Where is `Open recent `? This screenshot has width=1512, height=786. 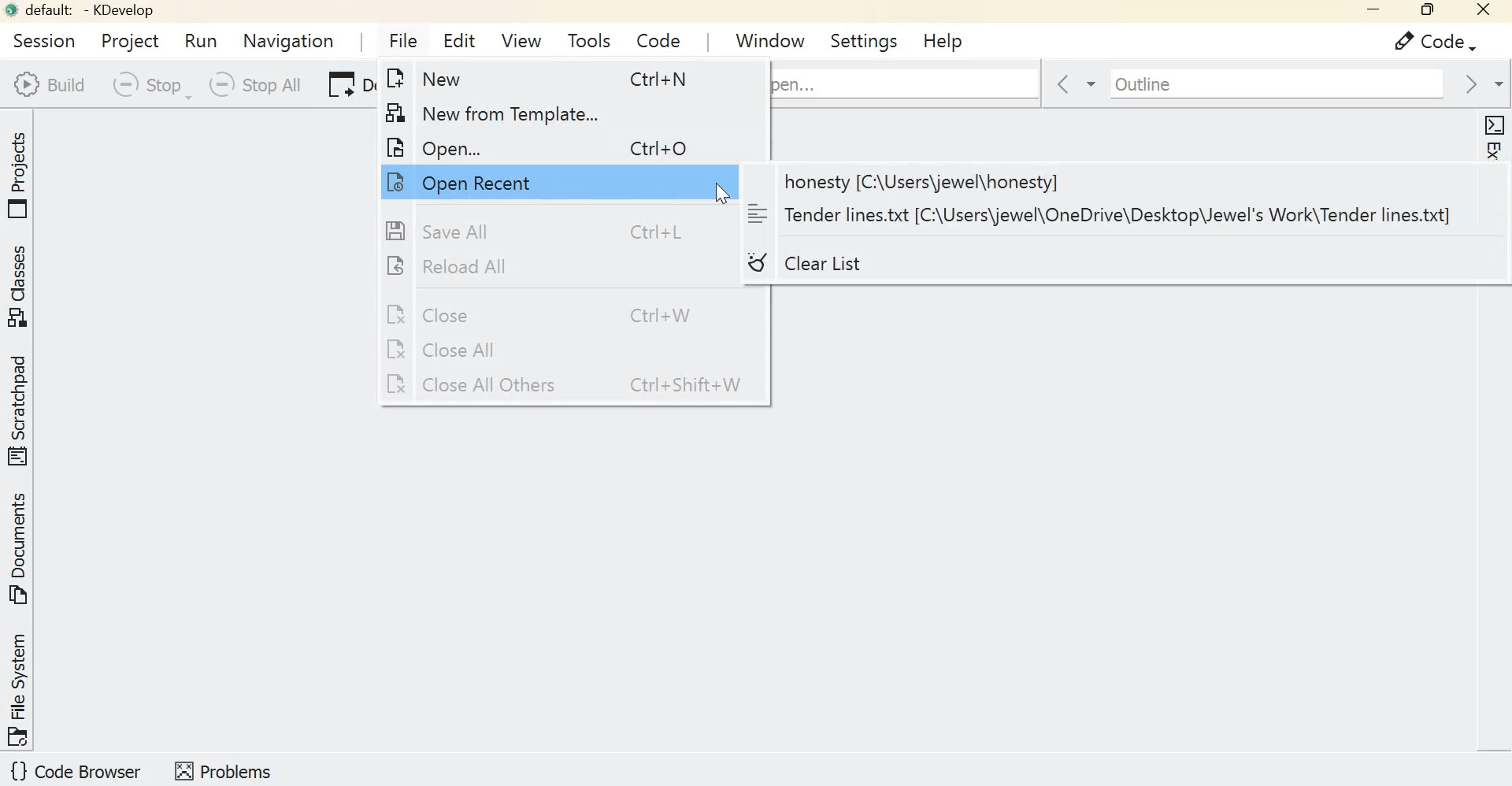 Open recent  is located at coordinates (528, 181).